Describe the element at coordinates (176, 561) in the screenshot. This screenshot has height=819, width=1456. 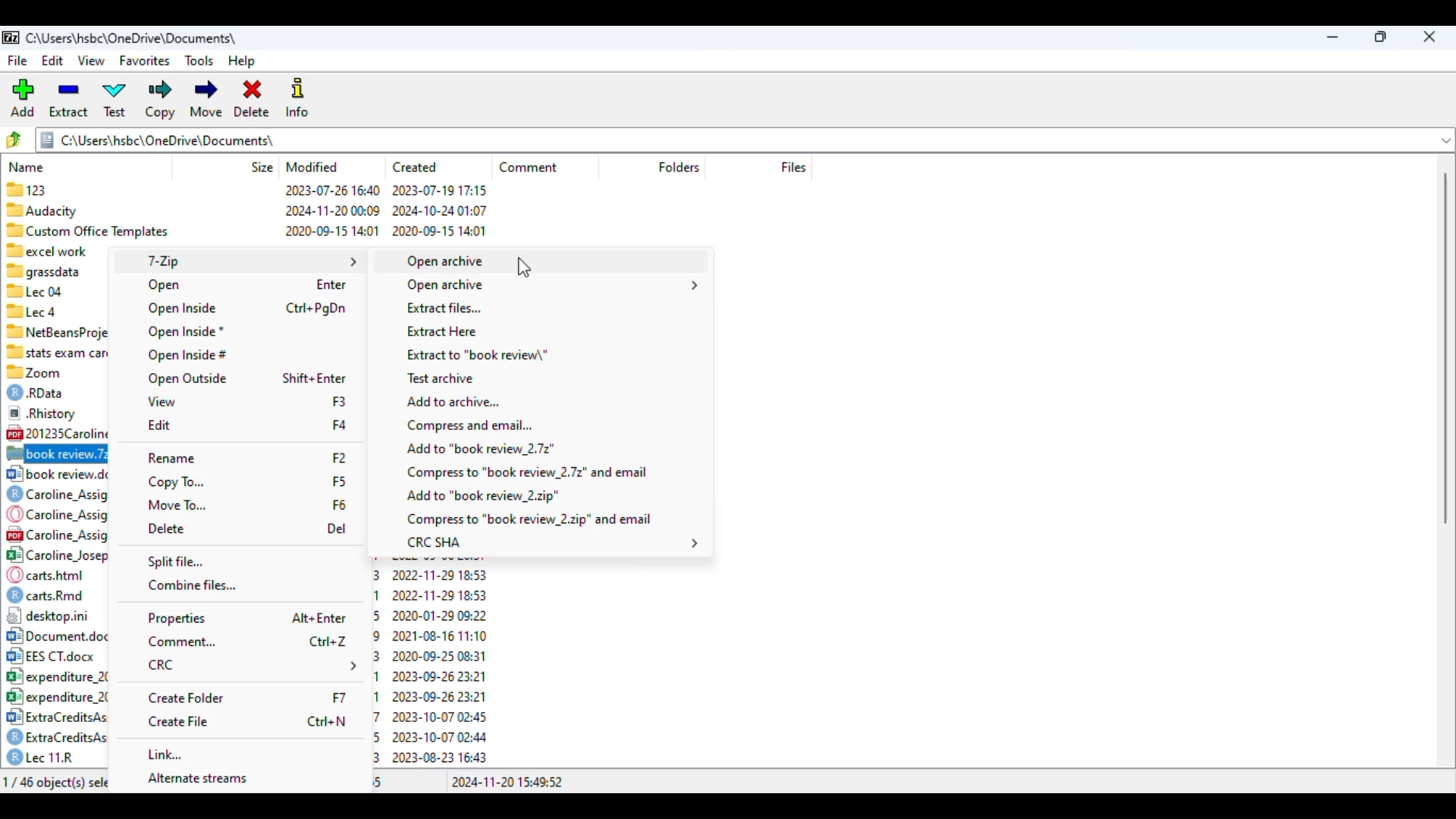
I see `split file` at that location.